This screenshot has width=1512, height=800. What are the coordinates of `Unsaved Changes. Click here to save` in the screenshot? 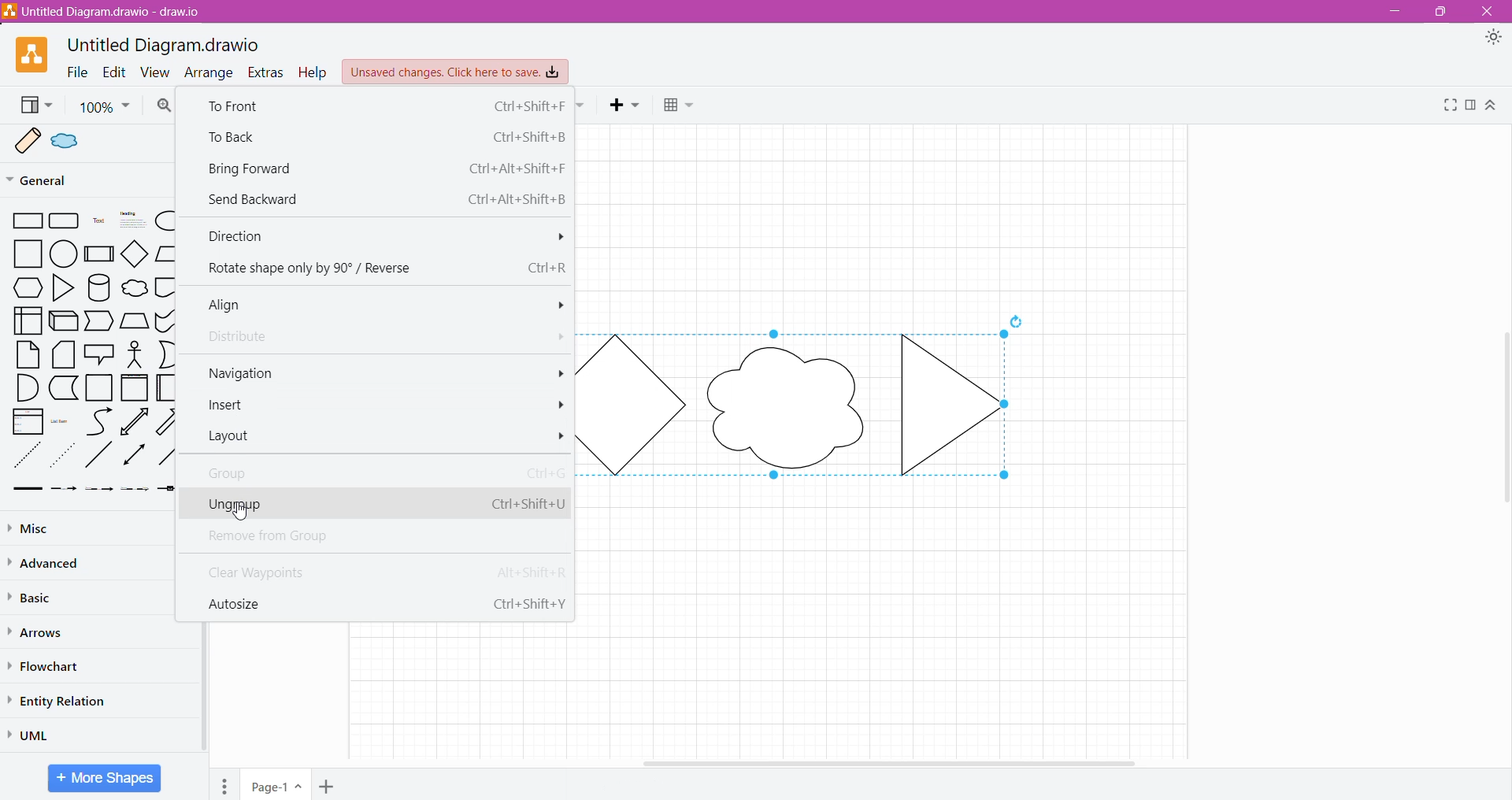 It's located at (456, 72).